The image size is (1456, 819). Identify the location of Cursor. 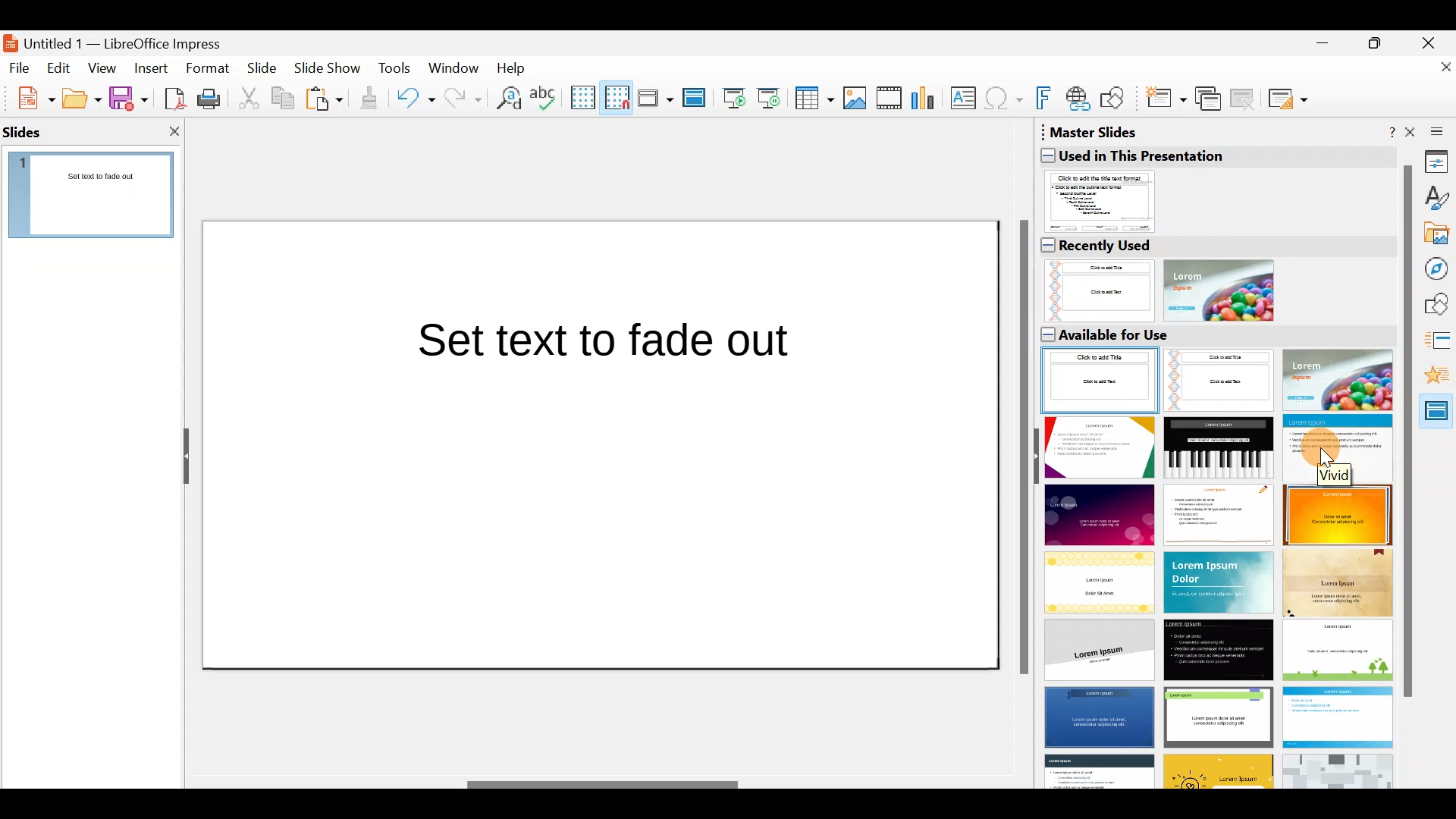
(1326, 453).